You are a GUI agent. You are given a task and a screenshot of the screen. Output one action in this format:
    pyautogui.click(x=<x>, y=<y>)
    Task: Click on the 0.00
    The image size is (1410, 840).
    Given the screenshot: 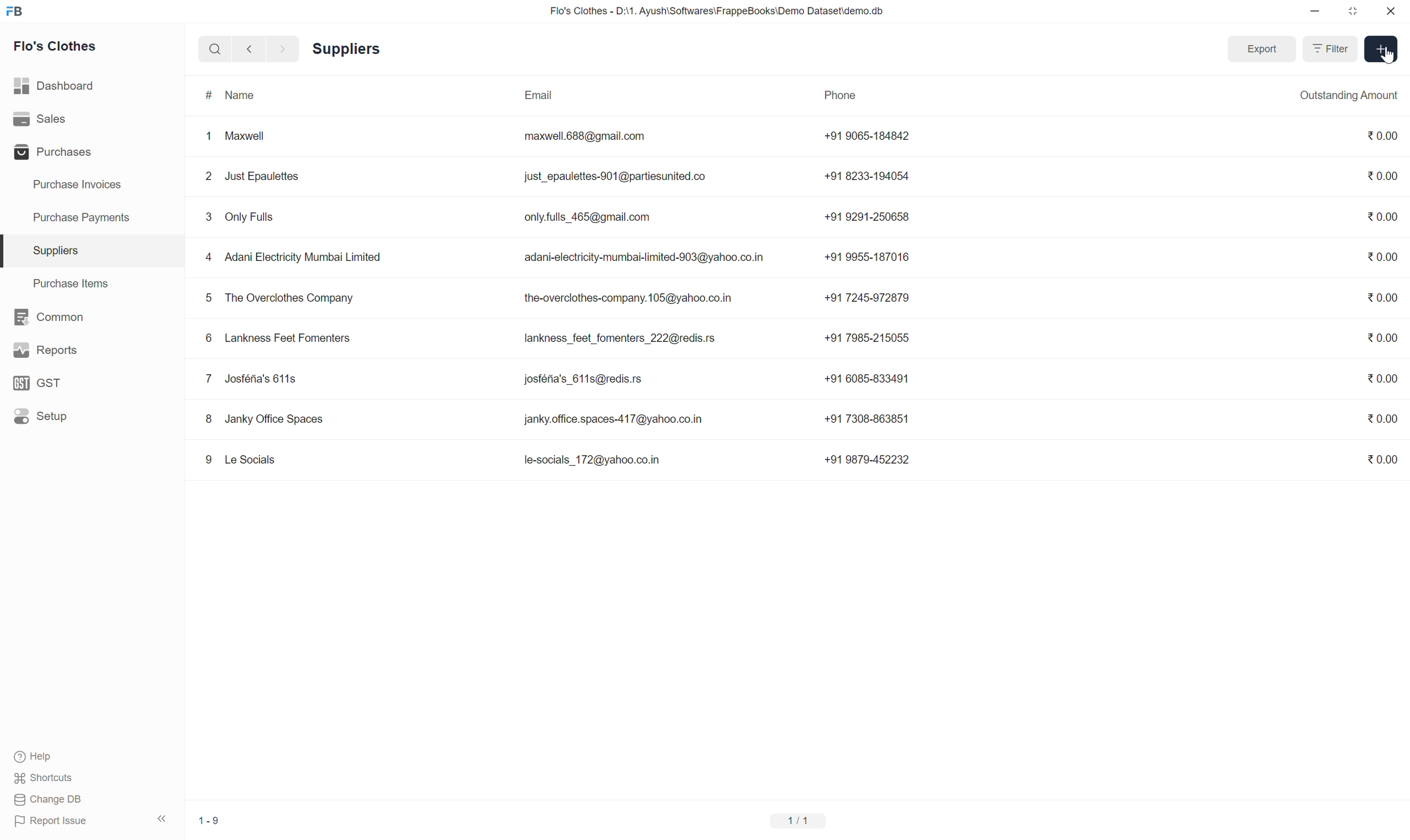 What is the action you would take?
    pyautogui.click(x=1382, y=297)
    